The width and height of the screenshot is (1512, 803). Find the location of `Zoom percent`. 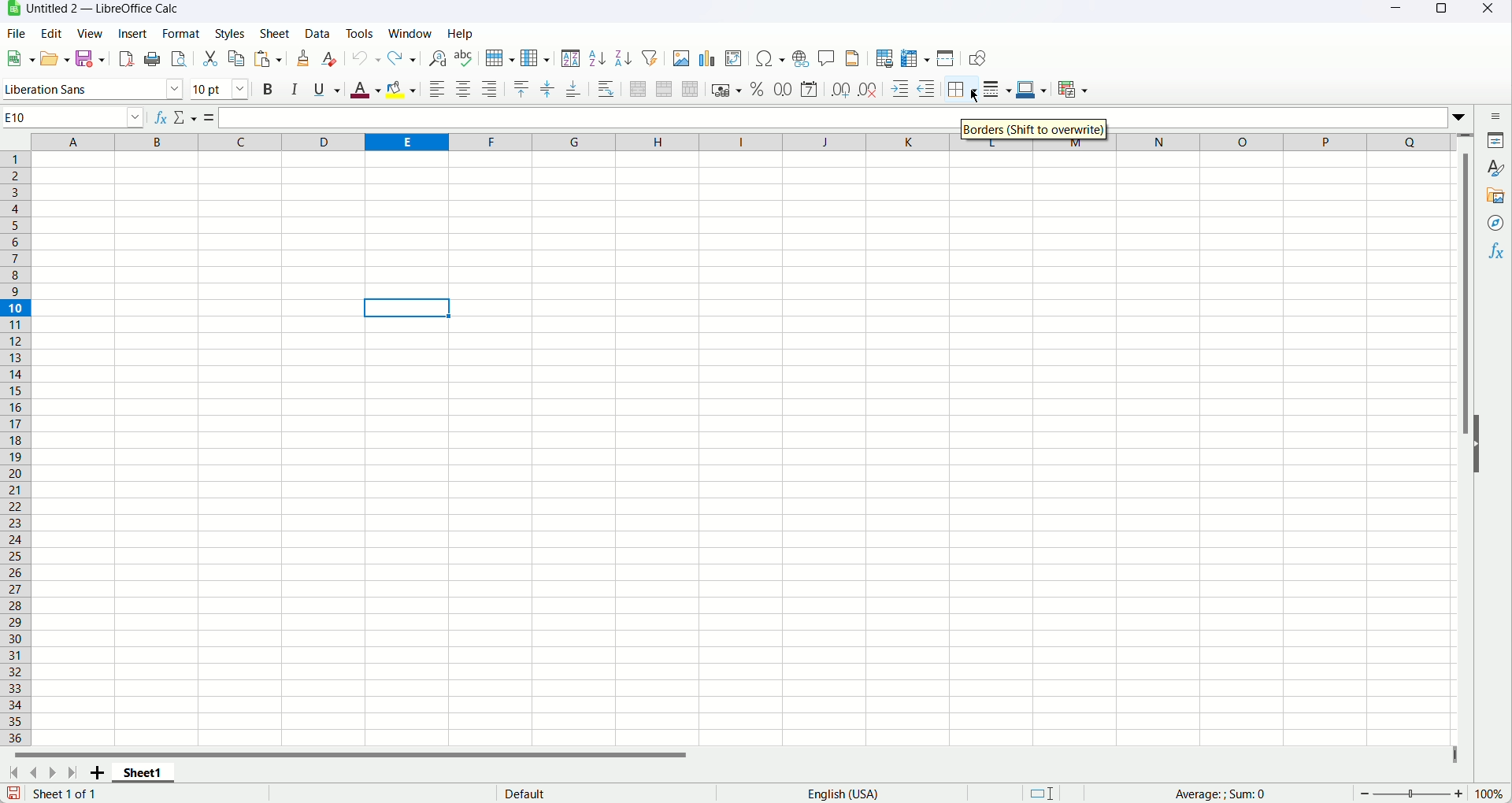

Zoom percent is located at coordinates (1490, 794).